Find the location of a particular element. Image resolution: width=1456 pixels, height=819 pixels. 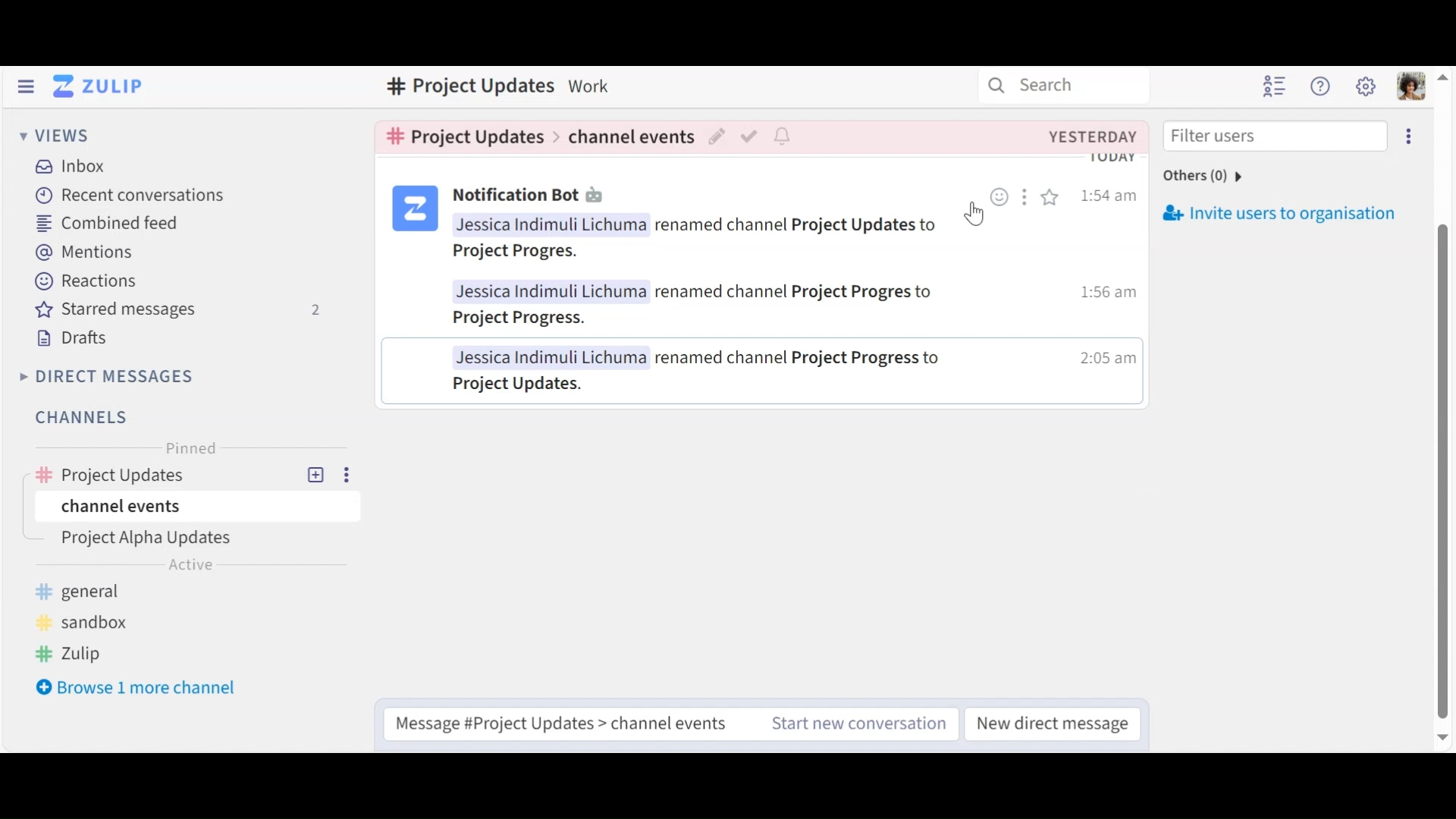

Description is located at coordinates (593, 85).